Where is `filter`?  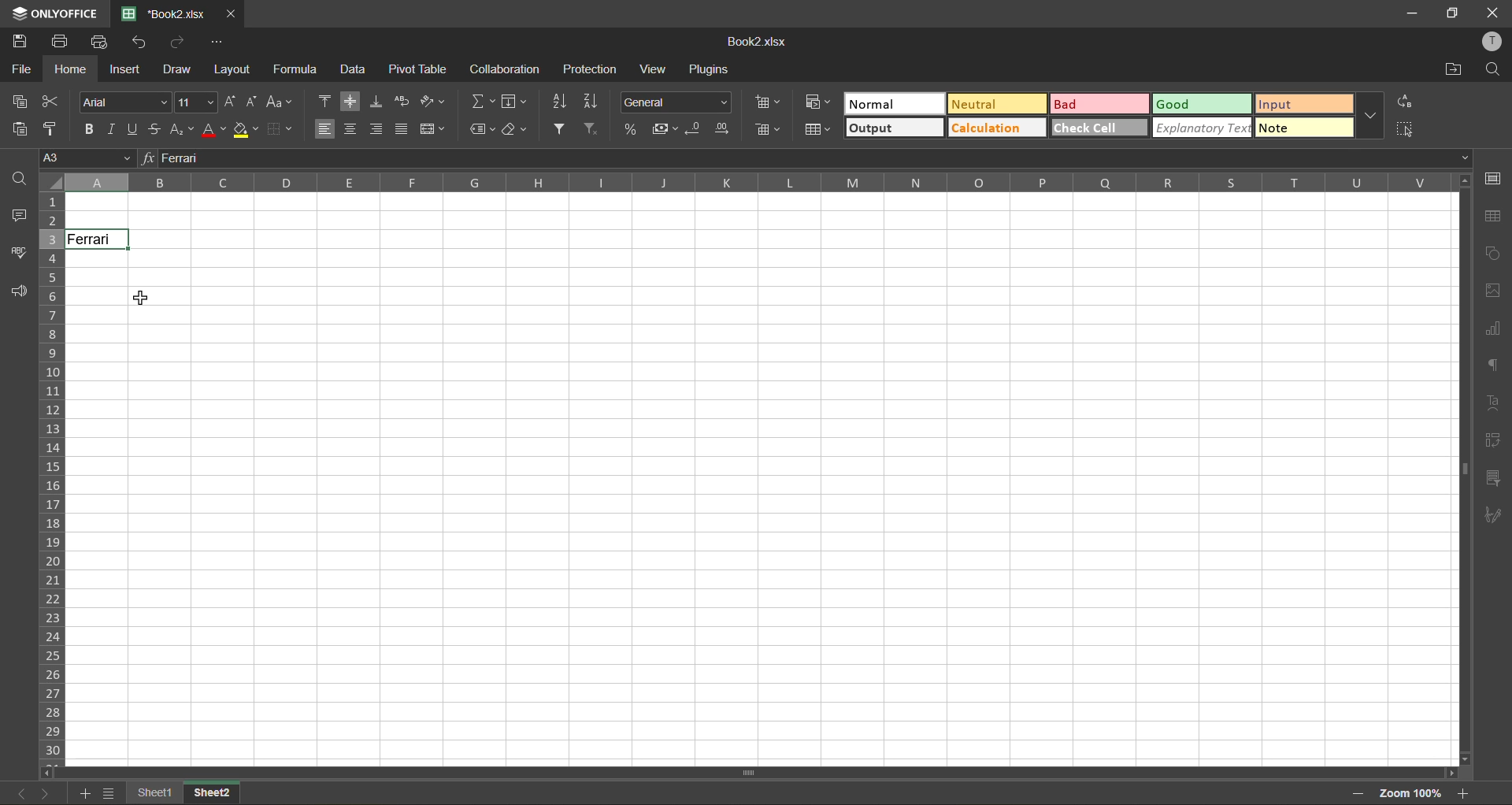
filter is located at coordinates (558, 128).